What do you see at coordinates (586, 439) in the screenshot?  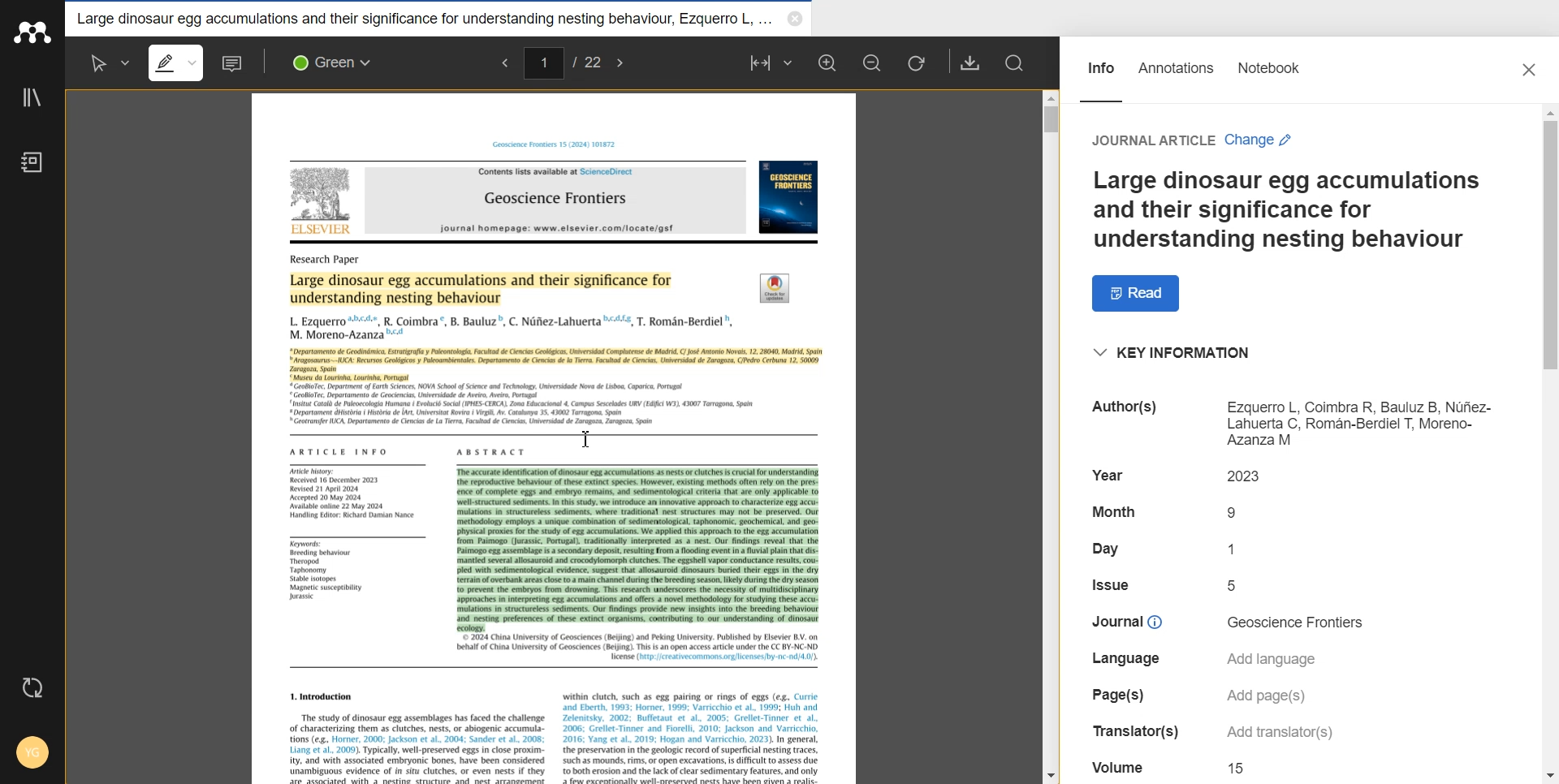 I see `Text cursor` at bounding box center [586, 439].